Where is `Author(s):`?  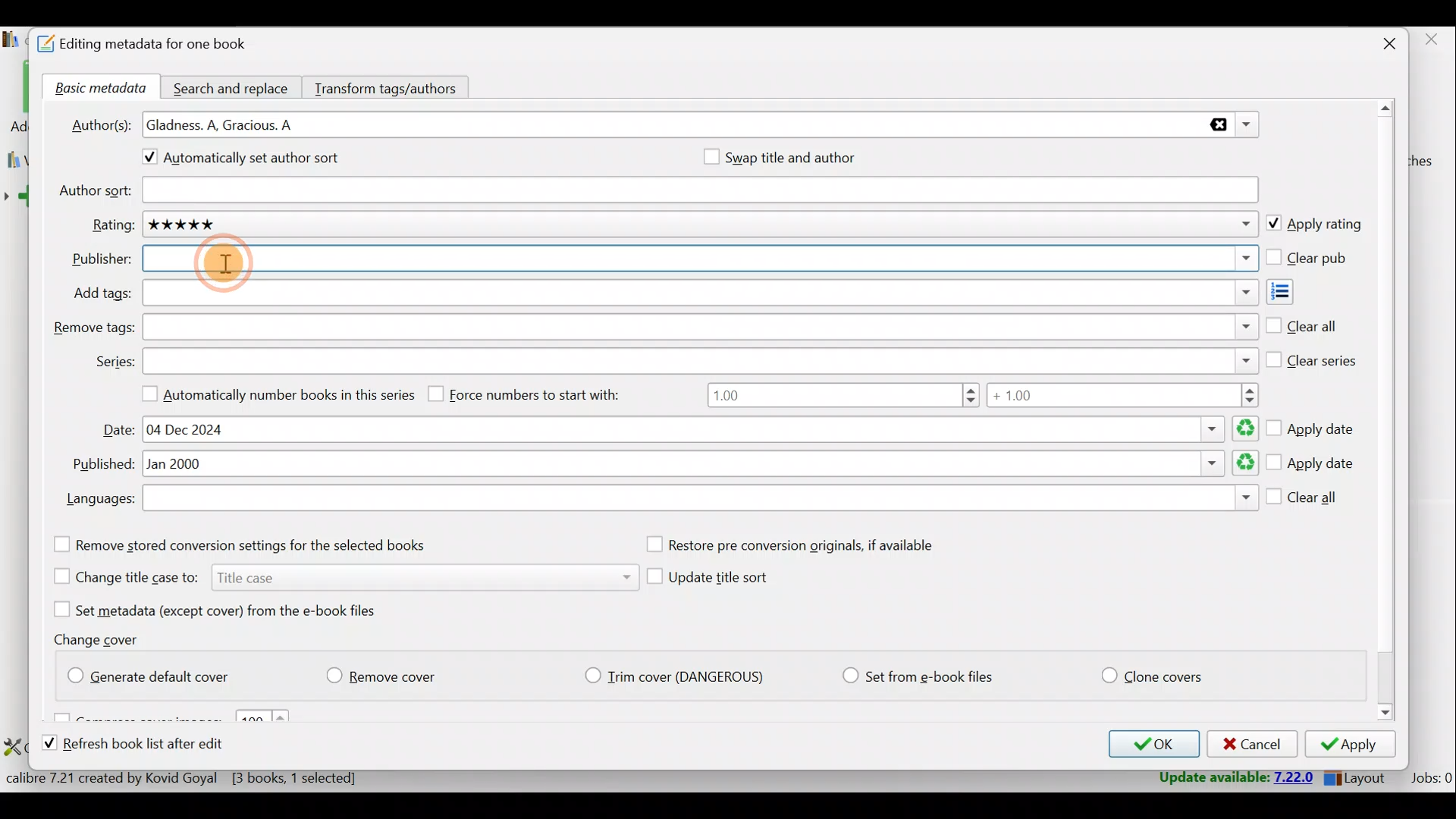
Author(s): is located at coordinates (101, 123).